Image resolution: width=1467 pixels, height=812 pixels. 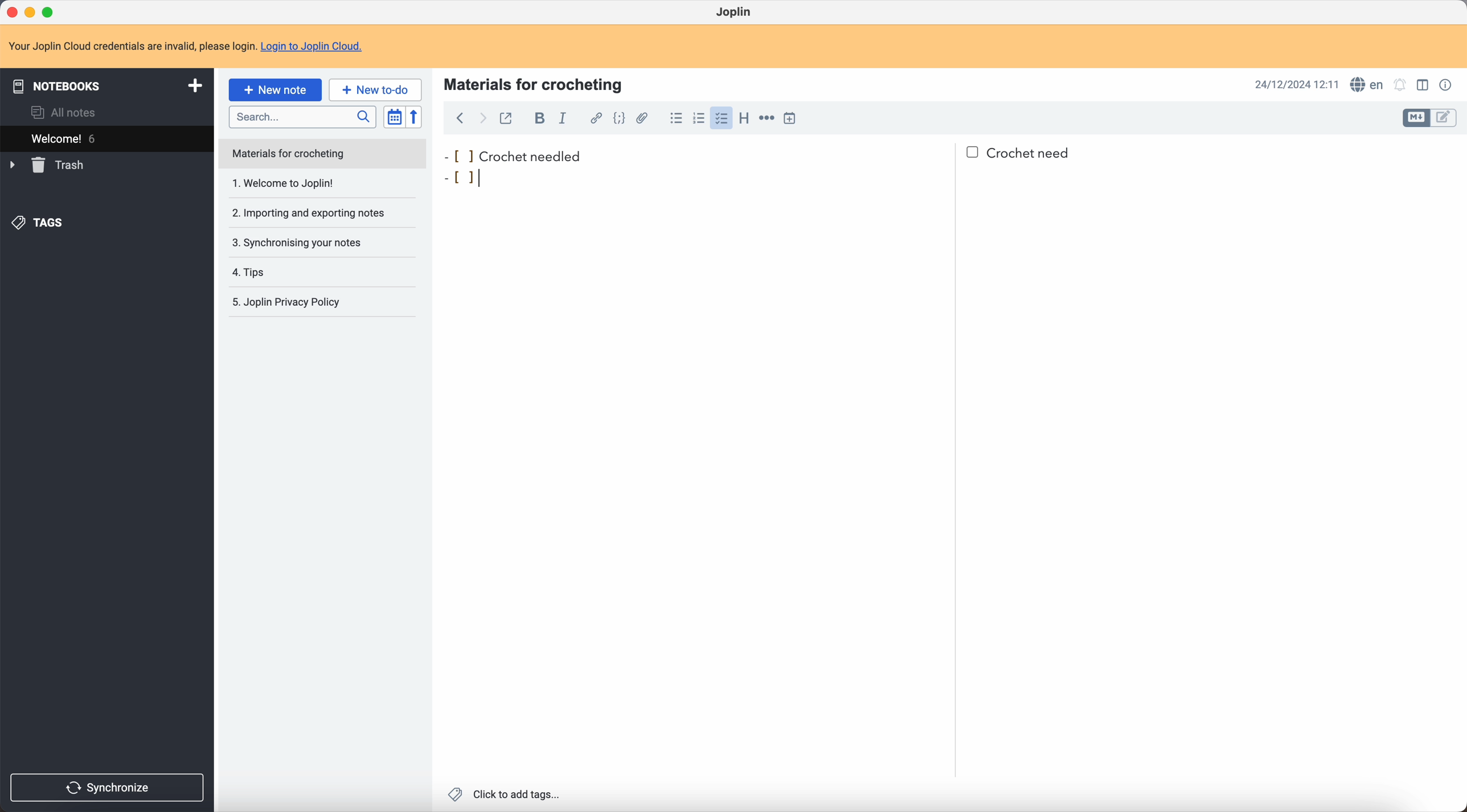 What do you see at coordinates (301, 272) in the screenshot?
I see `tips` at bounding box center [301, 272].